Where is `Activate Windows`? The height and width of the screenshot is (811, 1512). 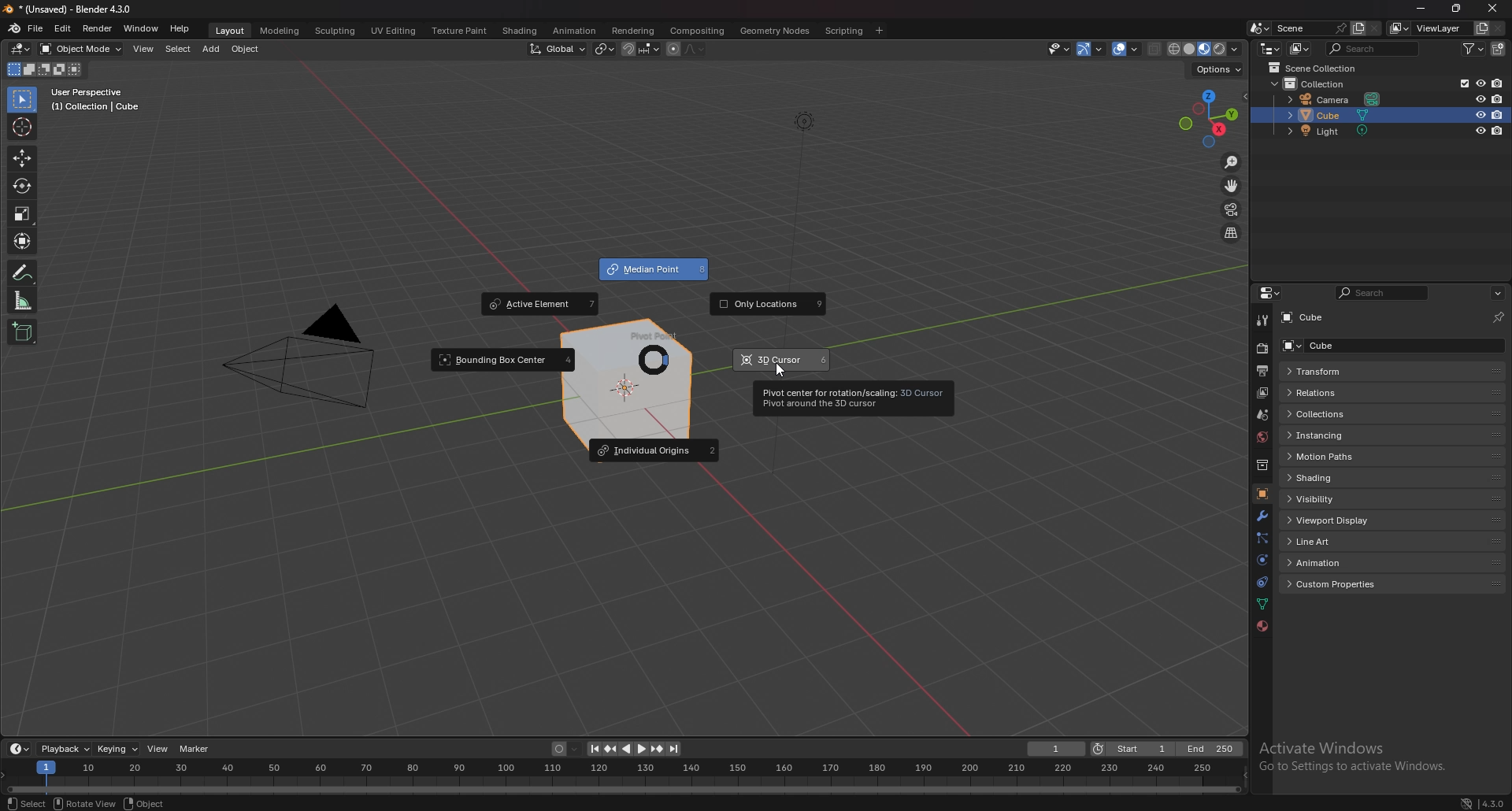
Activate Windows is located at coordinates (1367, 754).